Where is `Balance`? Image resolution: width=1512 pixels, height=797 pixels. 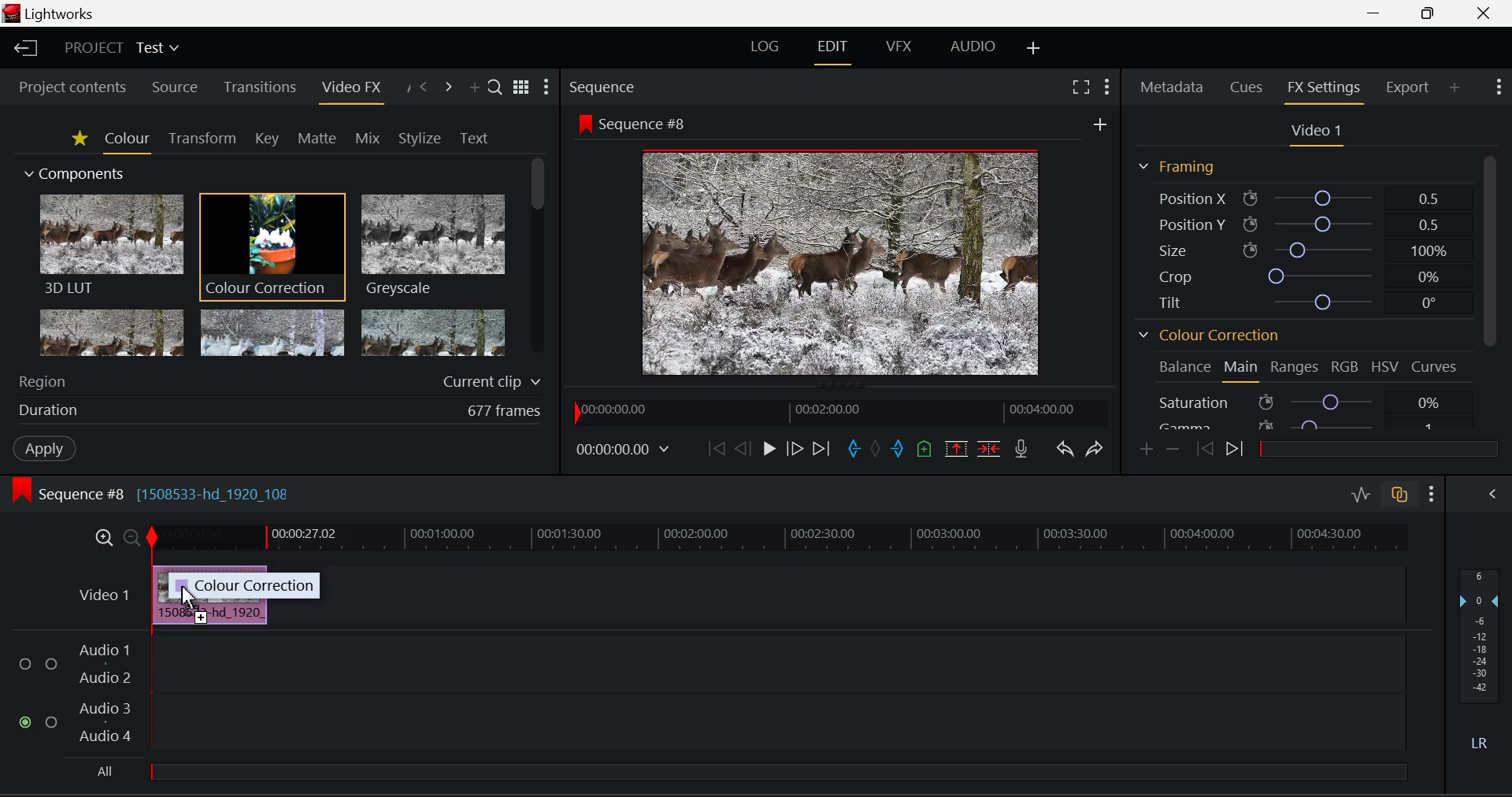 Balance is located at coordinates (1184, 366).